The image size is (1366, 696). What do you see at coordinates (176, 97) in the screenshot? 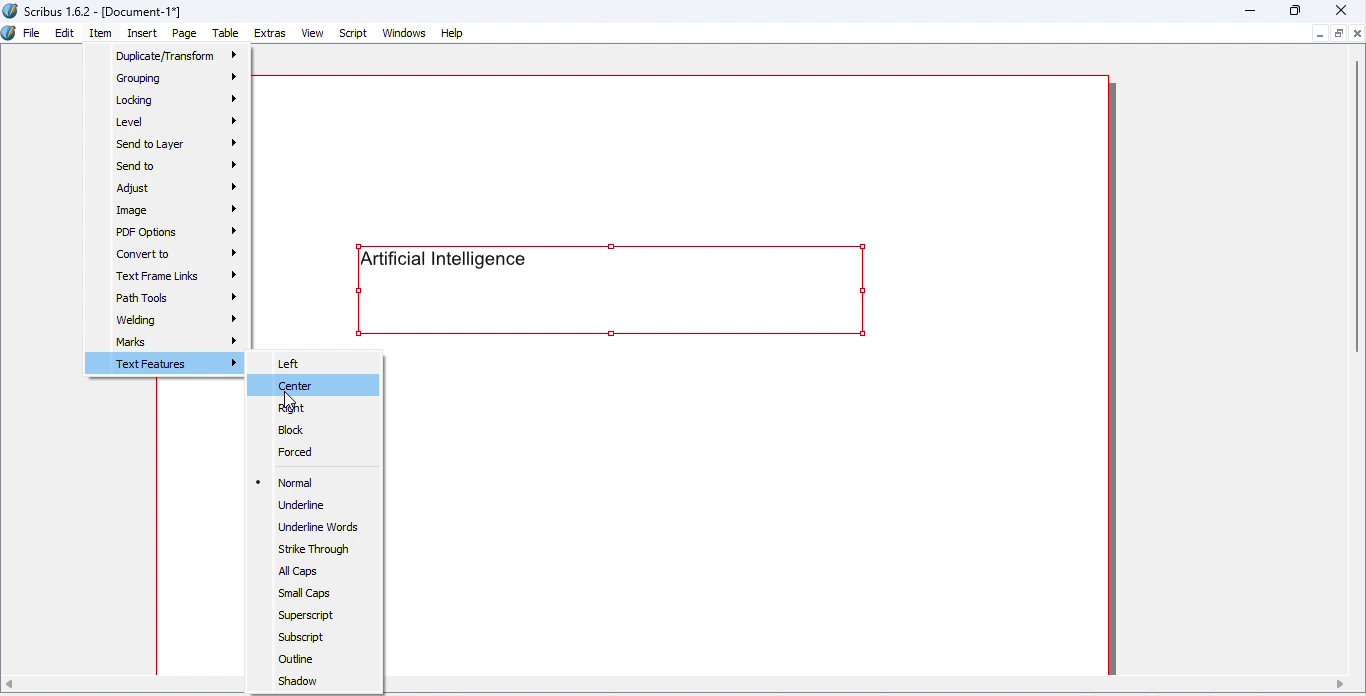
I see `Locking` at bounding box center [176, 97].